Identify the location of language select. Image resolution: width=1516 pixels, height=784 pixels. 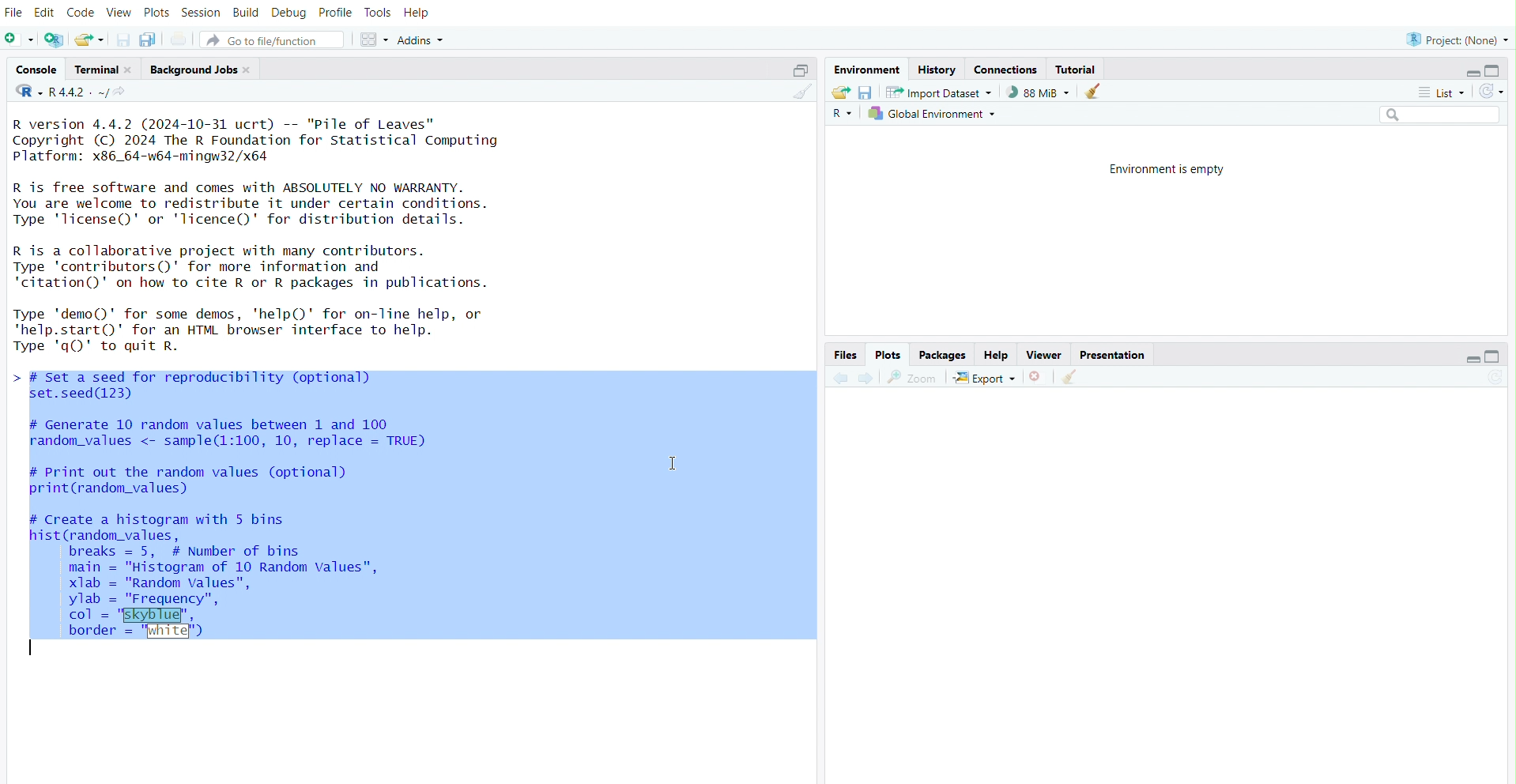
(843, 116).